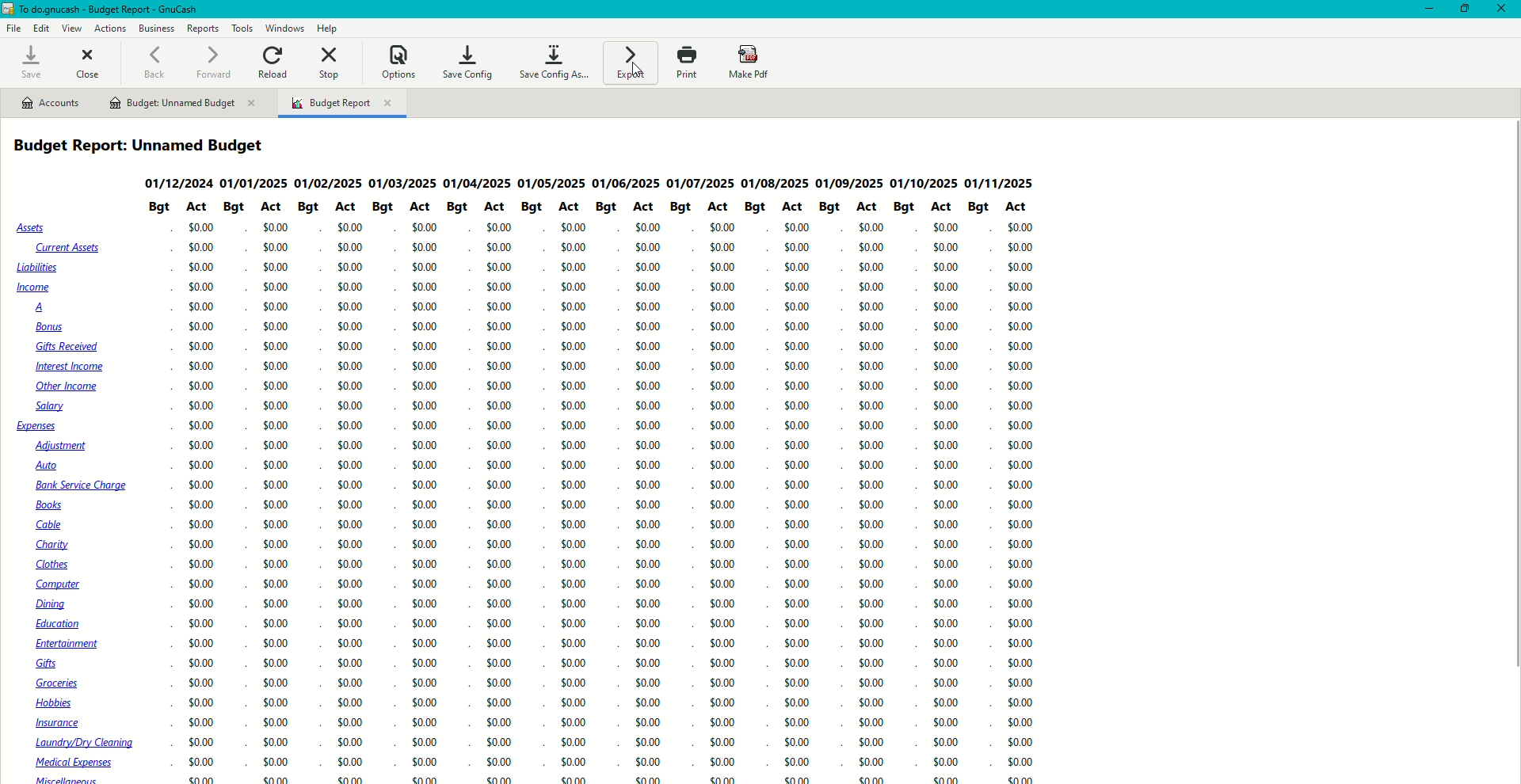  I want to click on $0.00, so click(198, 661).